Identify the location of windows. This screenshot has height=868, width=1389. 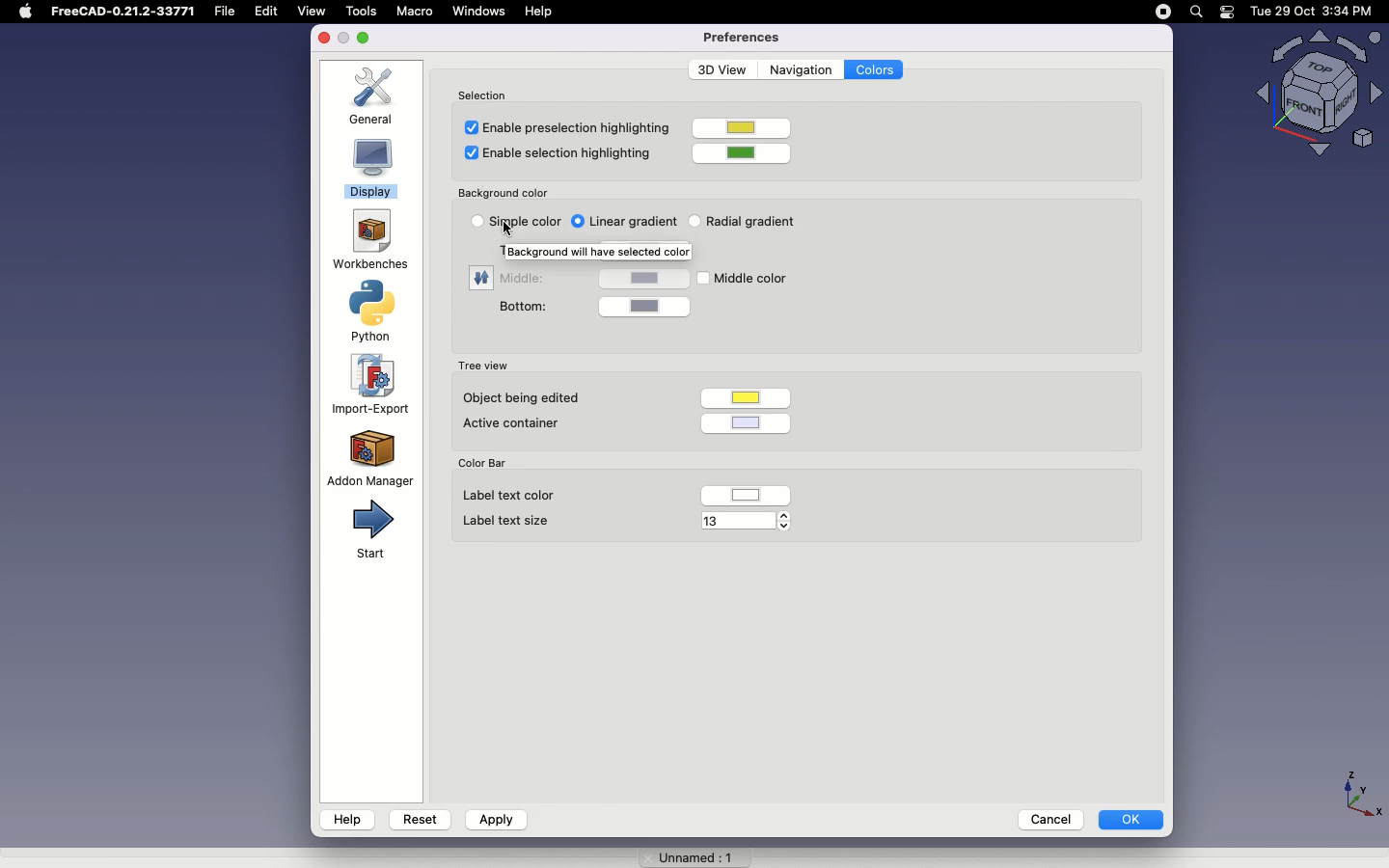
(479, 12).